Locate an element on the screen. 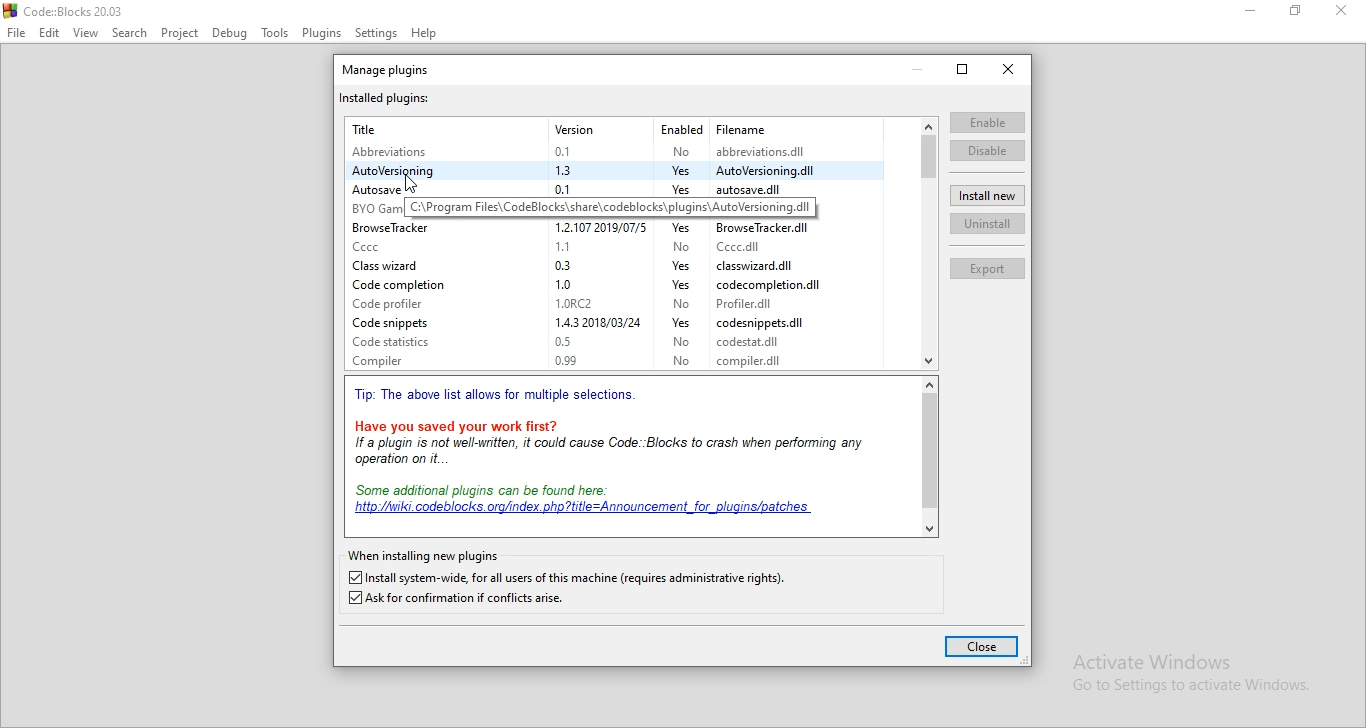 This screenshot has height=728, width=1366. Autosave  is located at coordinates (398, 190).